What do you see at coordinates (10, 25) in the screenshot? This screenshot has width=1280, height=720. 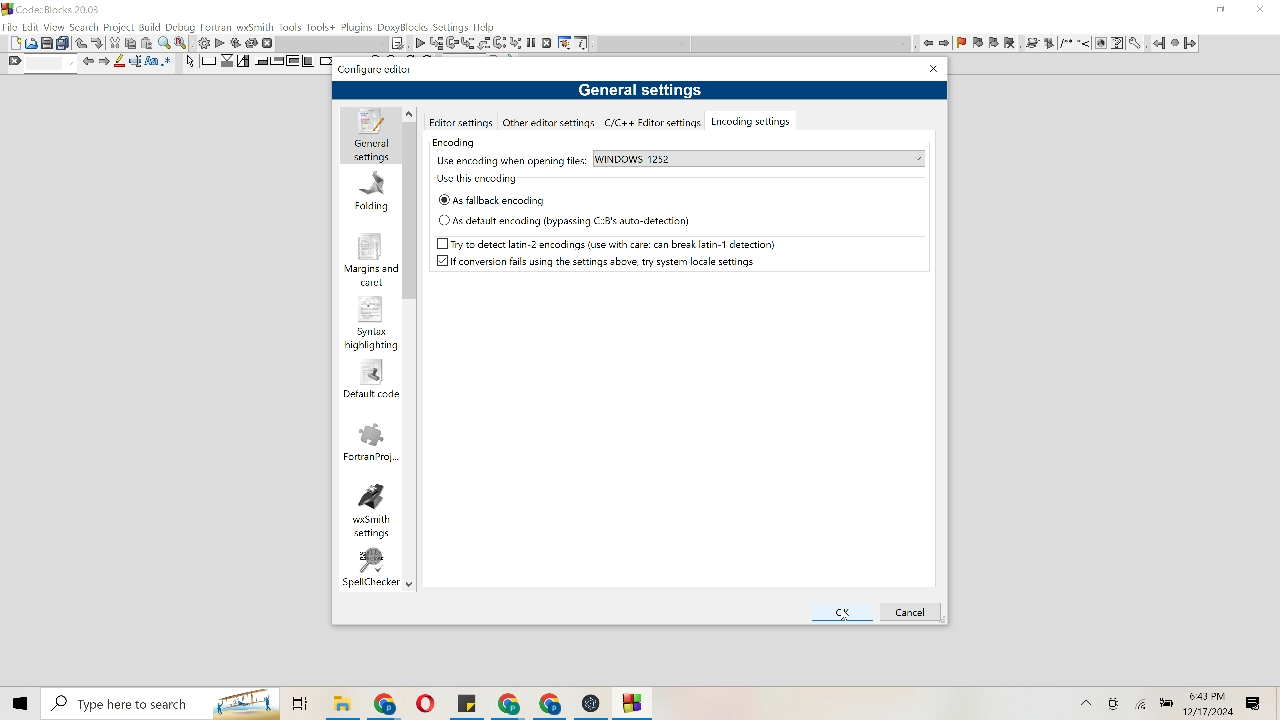 I see `File` at bounding box center [10, 25].